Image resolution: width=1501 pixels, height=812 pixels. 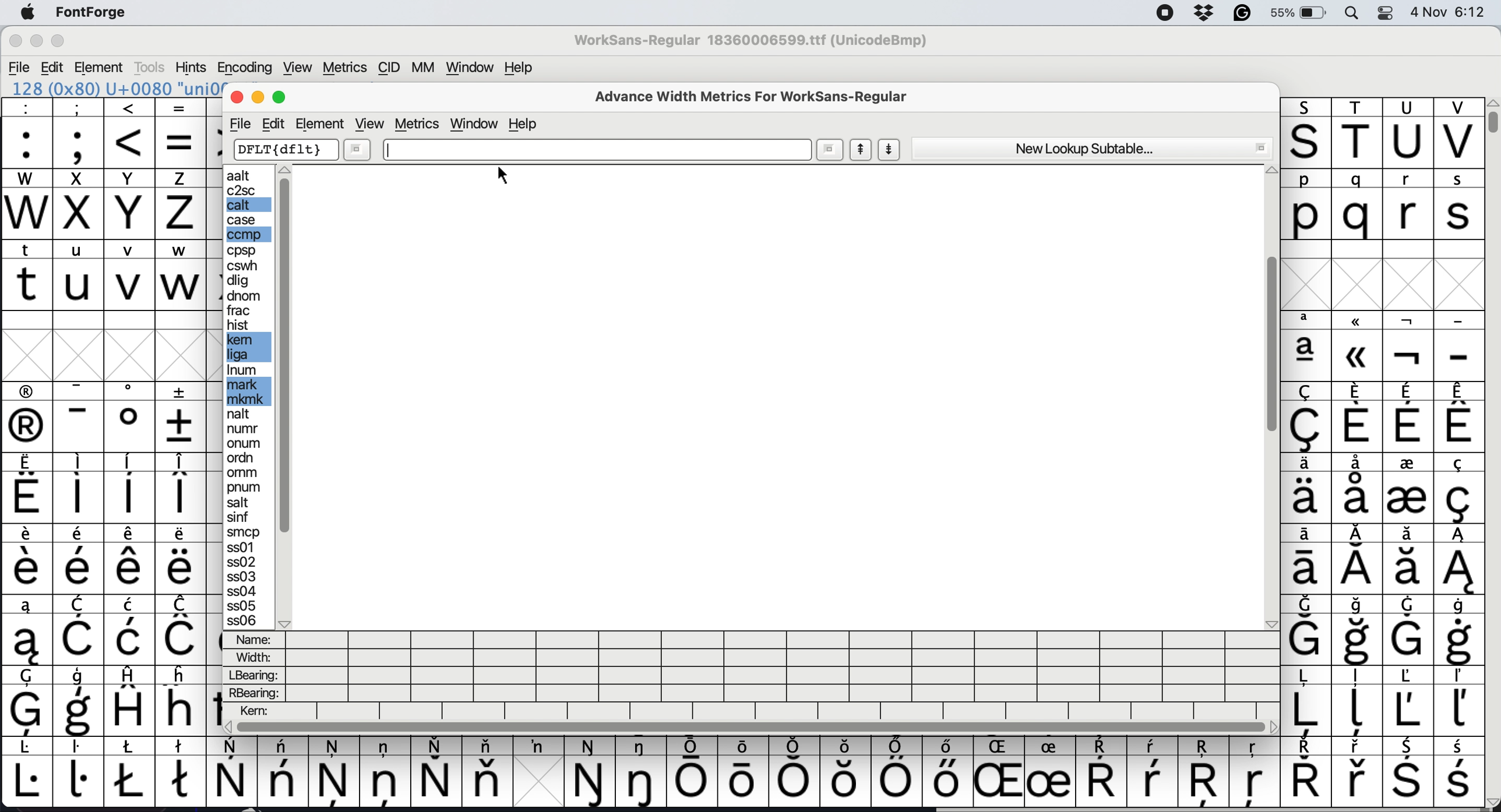 I want to click on more options, so click(x=357, y=149).